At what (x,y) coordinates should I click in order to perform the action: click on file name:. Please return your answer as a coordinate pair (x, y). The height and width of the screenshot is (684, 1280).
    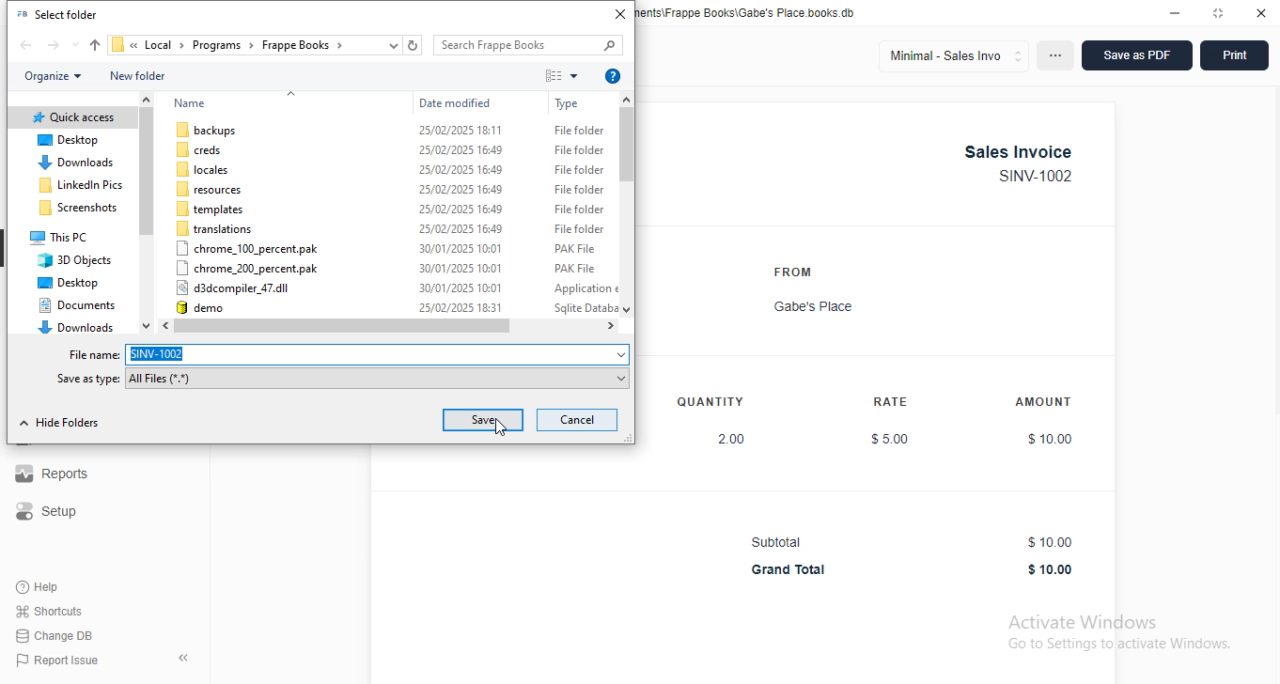
    Looking at the image, I should click on (95, 355).